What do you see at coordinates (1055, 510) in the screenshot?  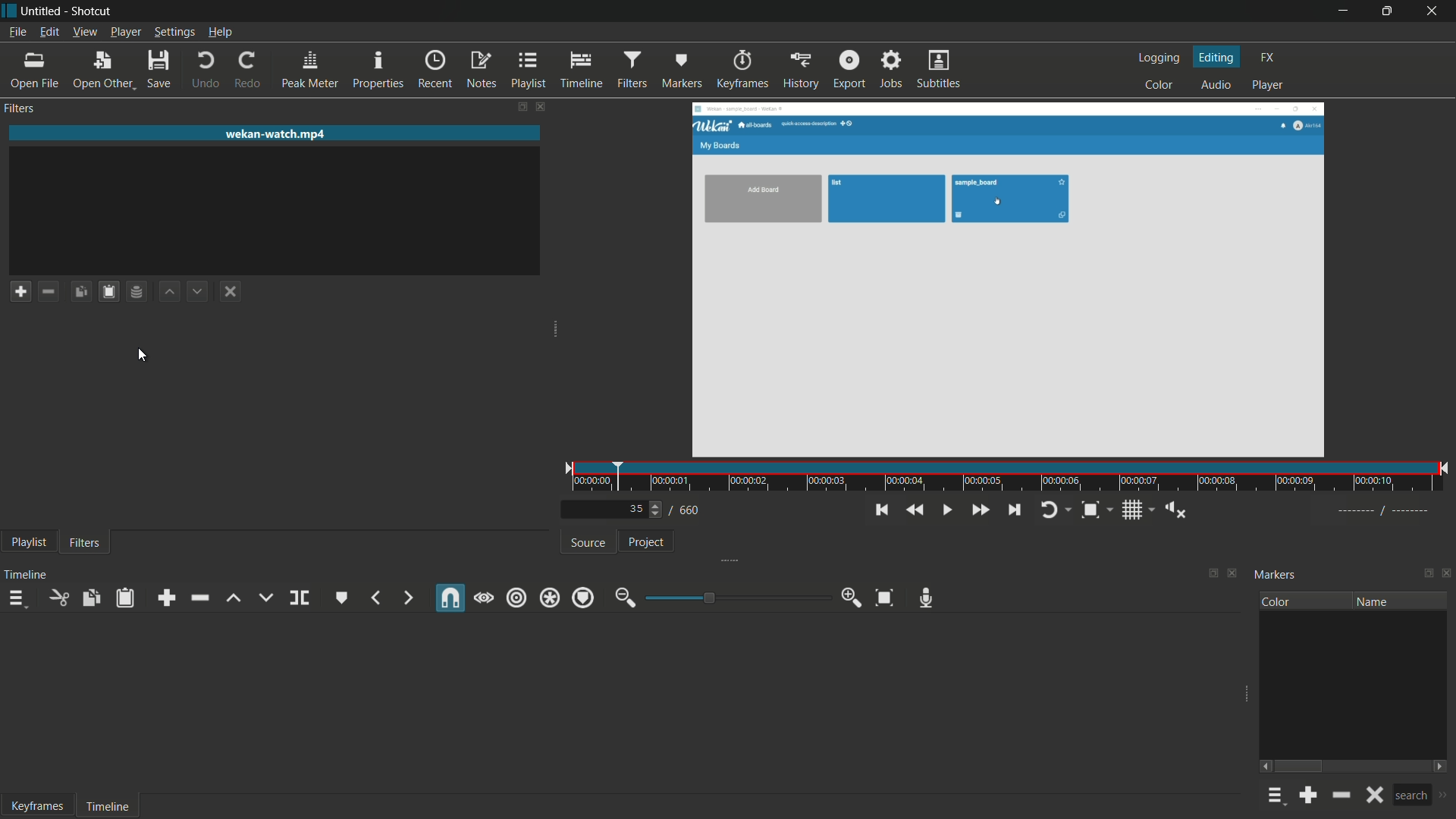 I see `toggle player looping` at bounding box center [1055, 510].